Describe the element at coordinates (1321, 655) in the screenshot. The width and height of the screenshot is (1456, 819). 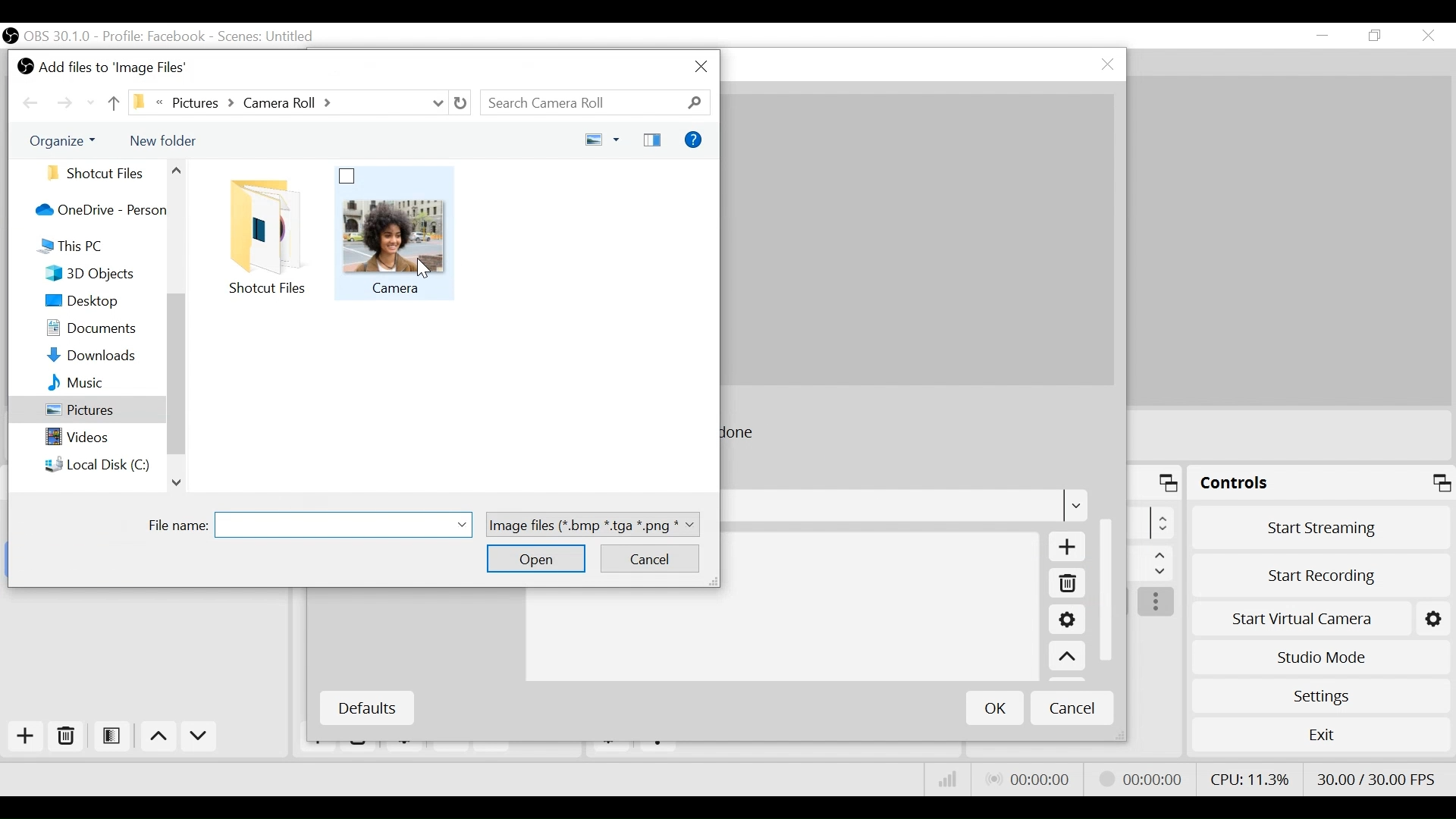
I see `Studio Mode` at that location.